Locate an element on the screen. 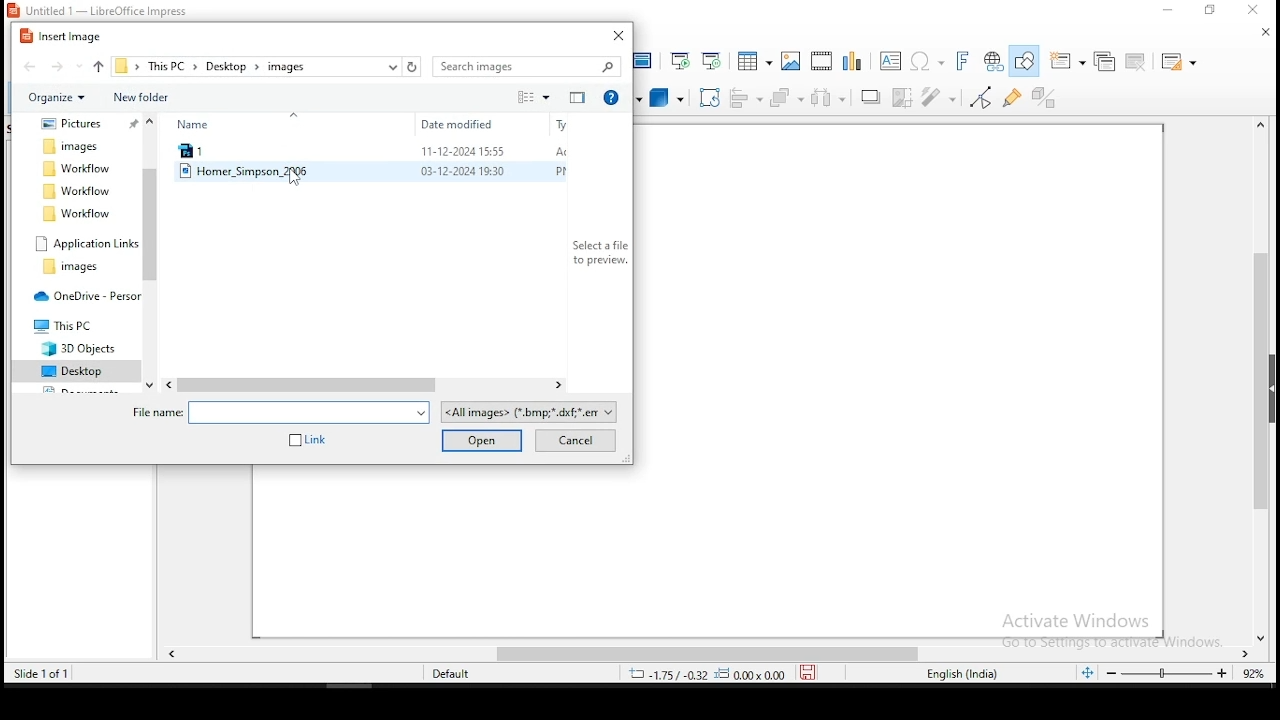 This screenshot has width=1280, height=720. system folder is located at coordinates (81, 190).